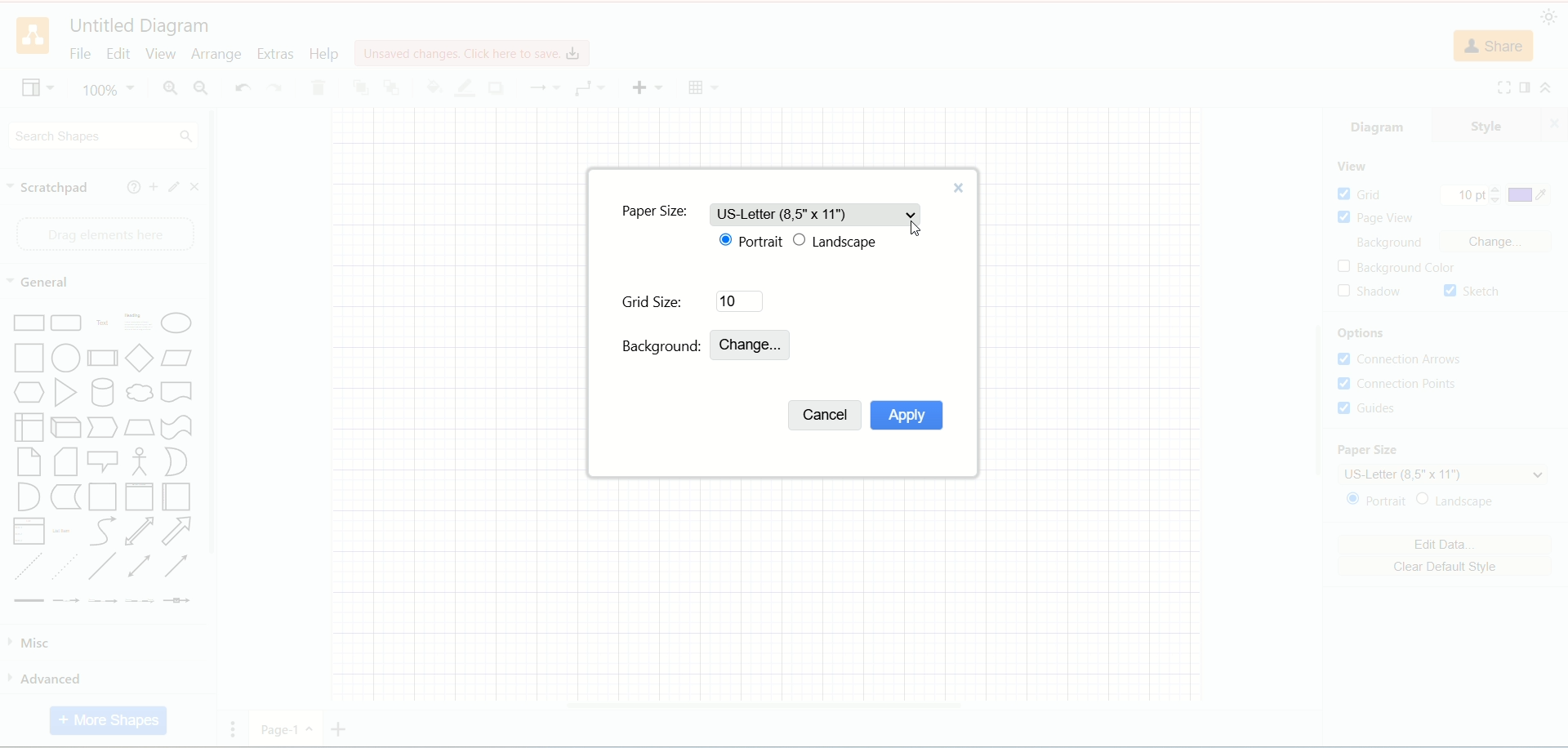 Image resolution: width=1568 pixels, height=748 pixels. What do you see at coordinates (324, 54) in the screenshot?
I see `help` at bounding box center [324, 54].